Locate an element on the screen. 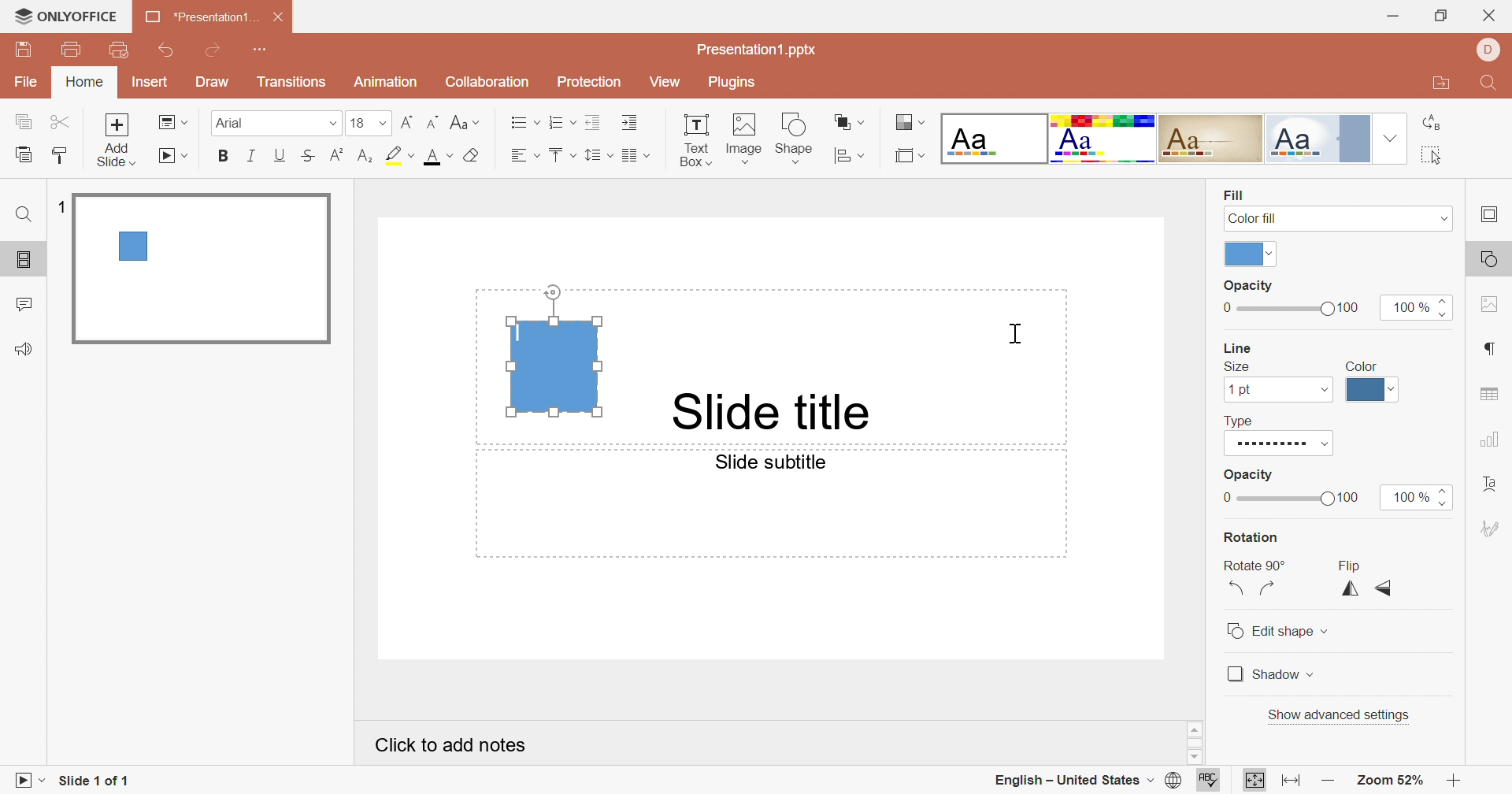 The width and height of the screenshot is (1512, 794). 1 pt is located at coordinates (1239, 390).